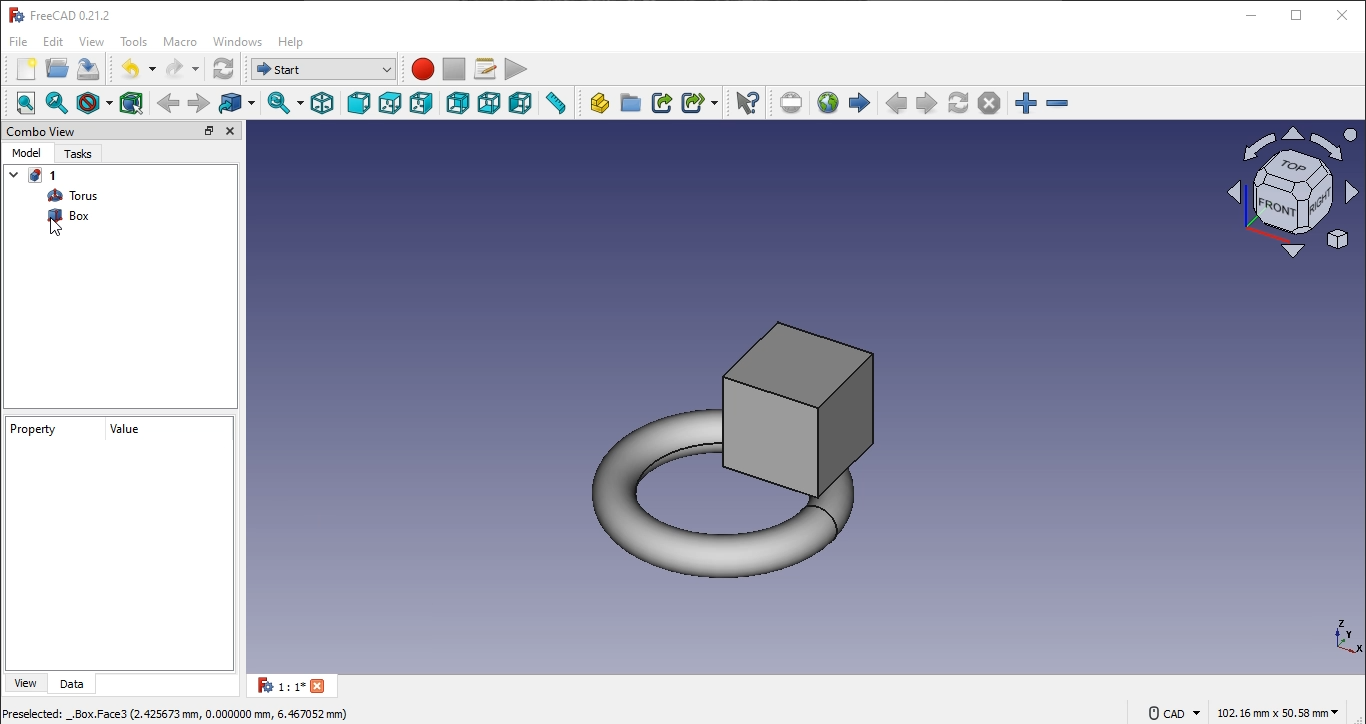 The height and width of the screenshot is (724, 1366). Describe the element at coordinates (26, 684) in the screenshot. I see `view` at that location.